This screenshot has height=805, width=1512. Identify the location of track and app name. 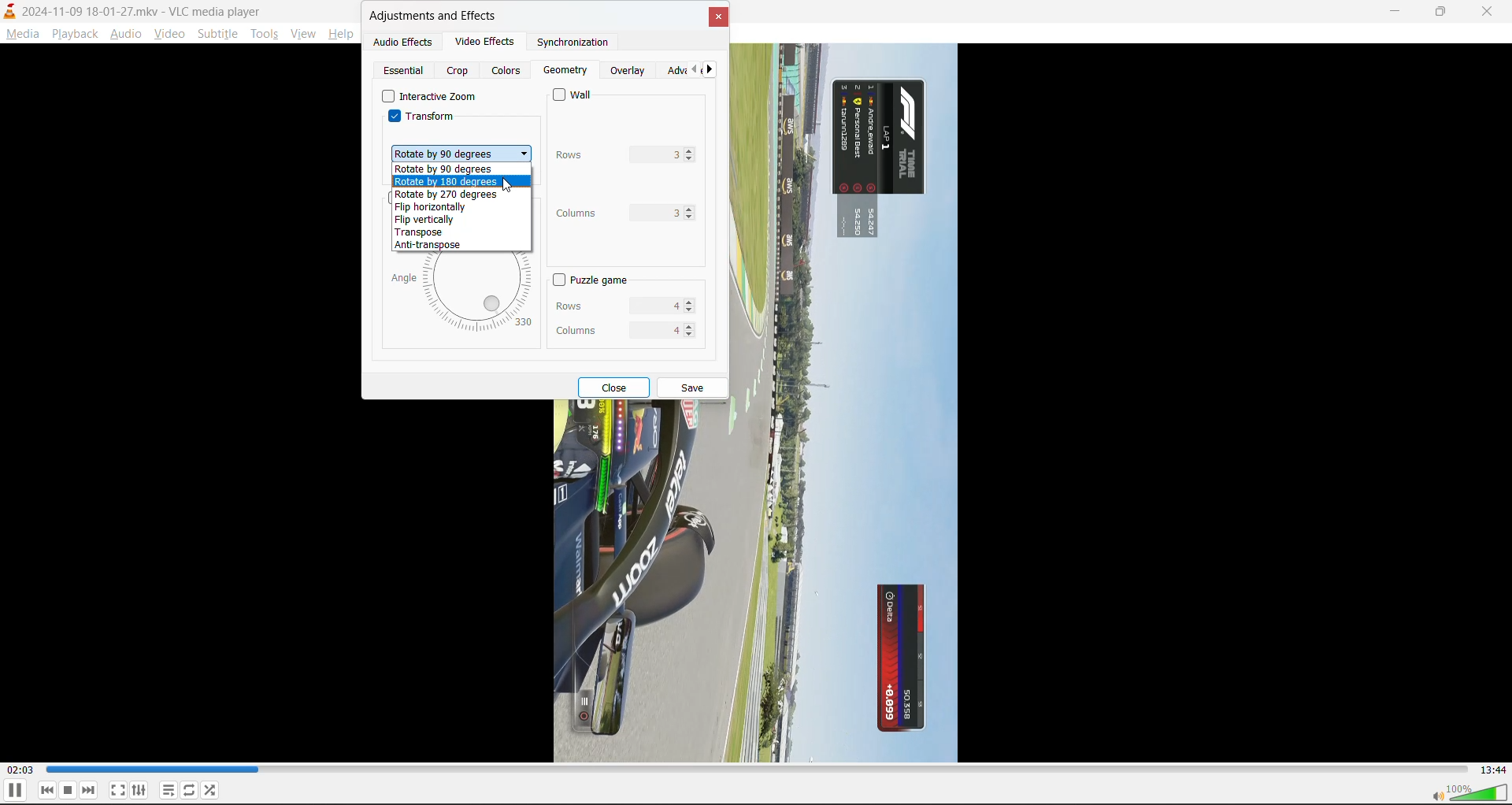
(134, 9).